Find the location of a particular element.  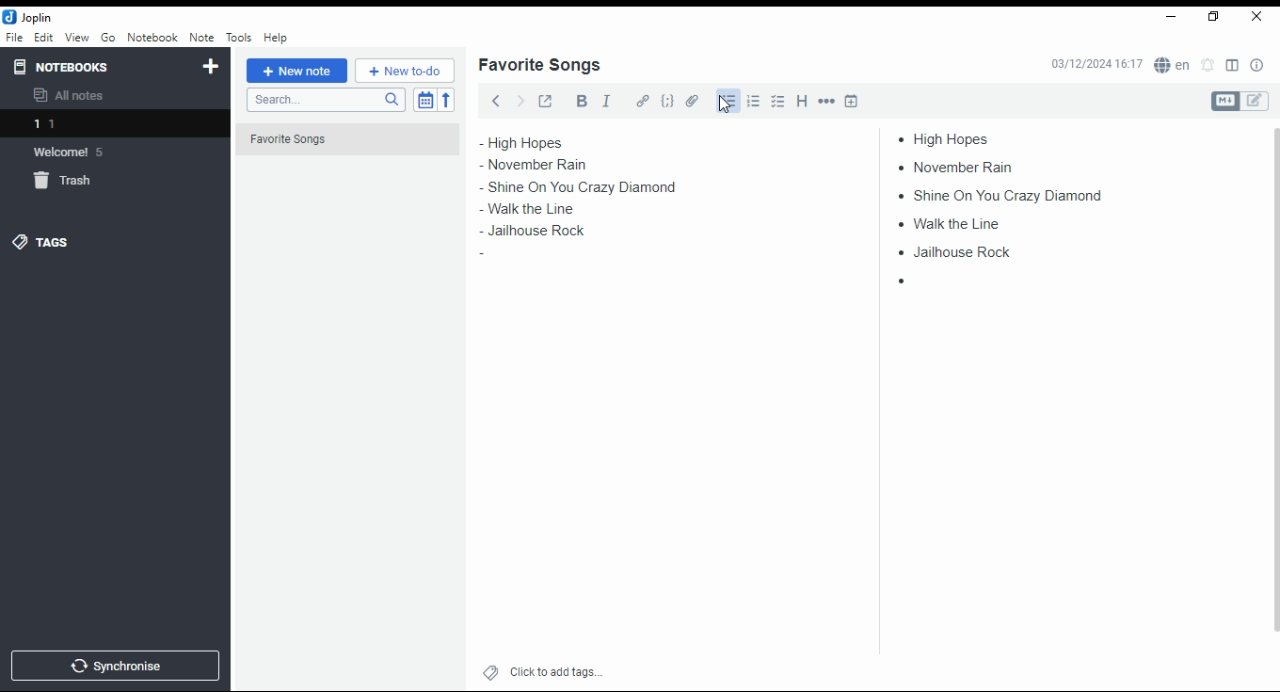

go is located at coordinates (110, 40).